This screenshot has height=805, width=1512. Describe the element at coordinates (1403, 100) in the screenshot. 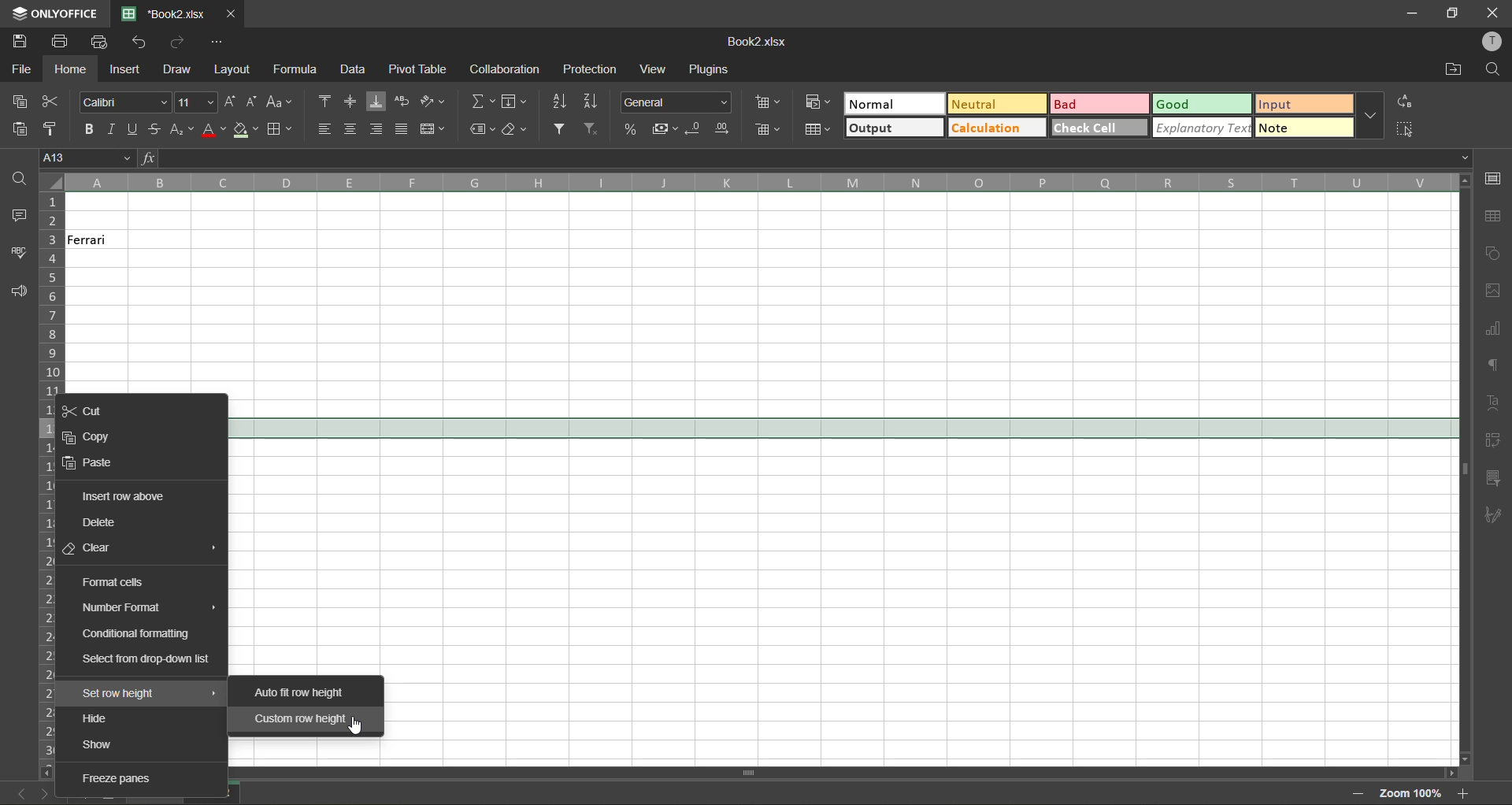

I see `replace` at that location.